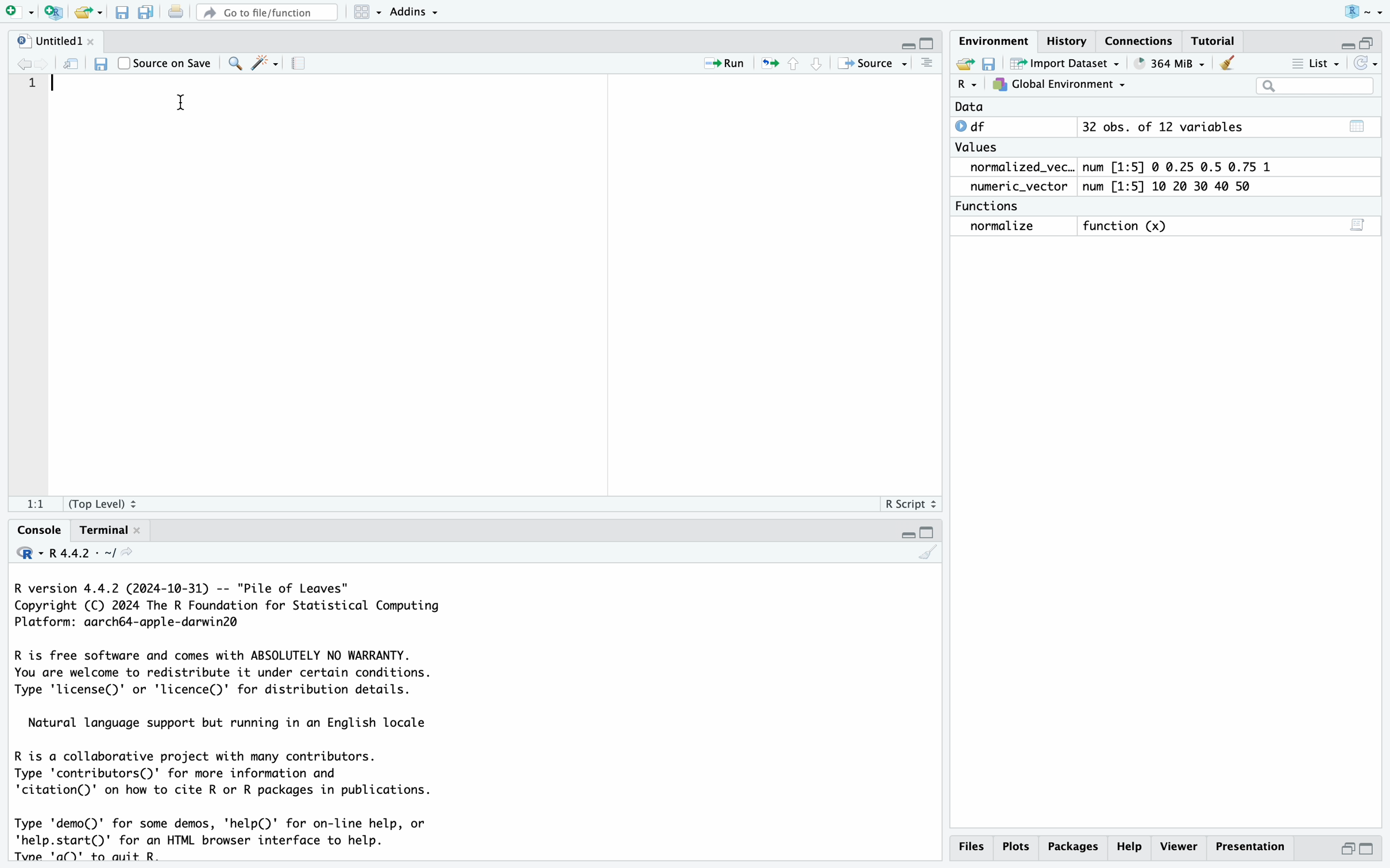 The height and width of the screenshot is (868, 1390). I want to click on Page, so click(299, 64).